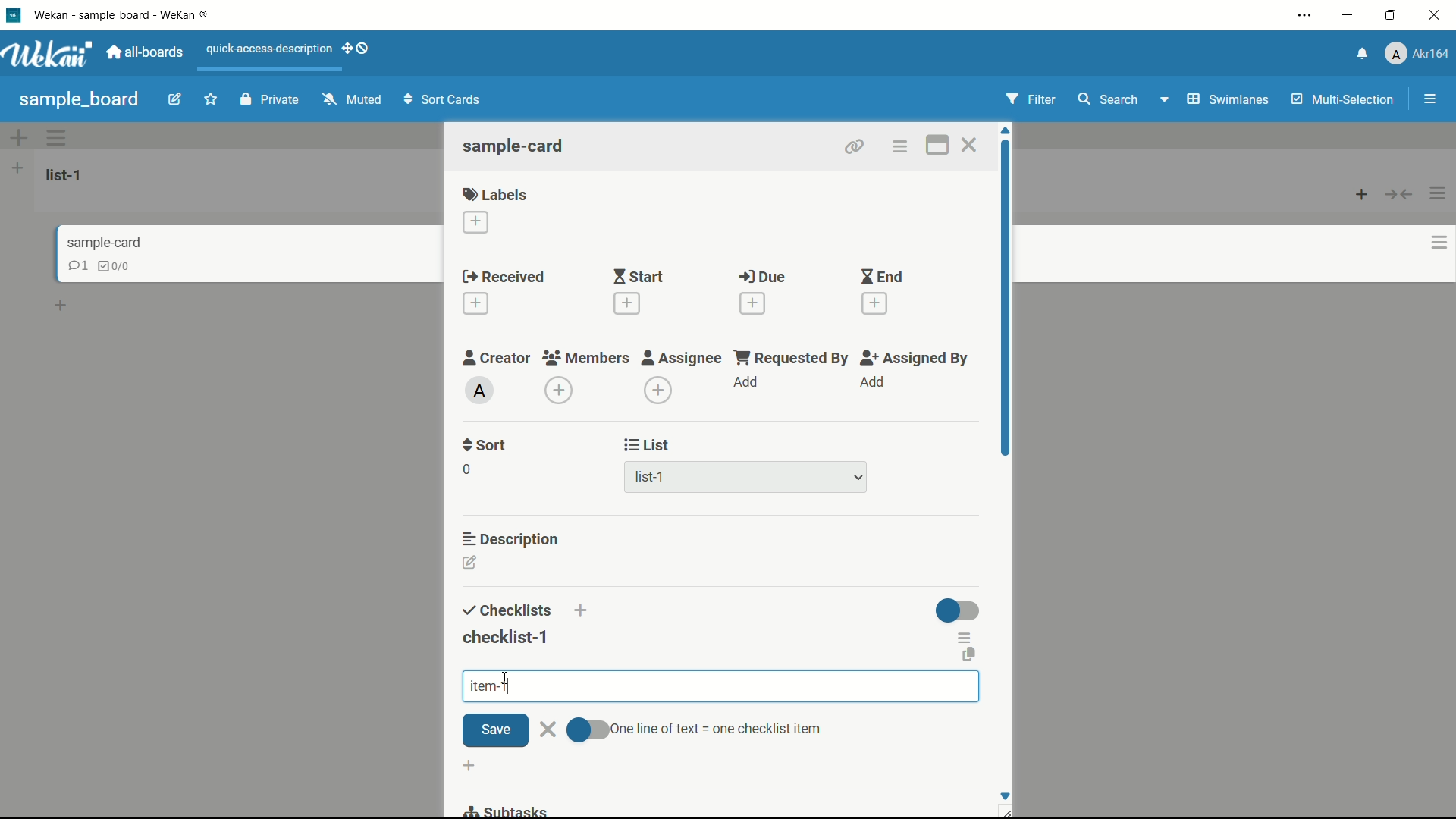  I want to click on favourite, so click(211, 96).